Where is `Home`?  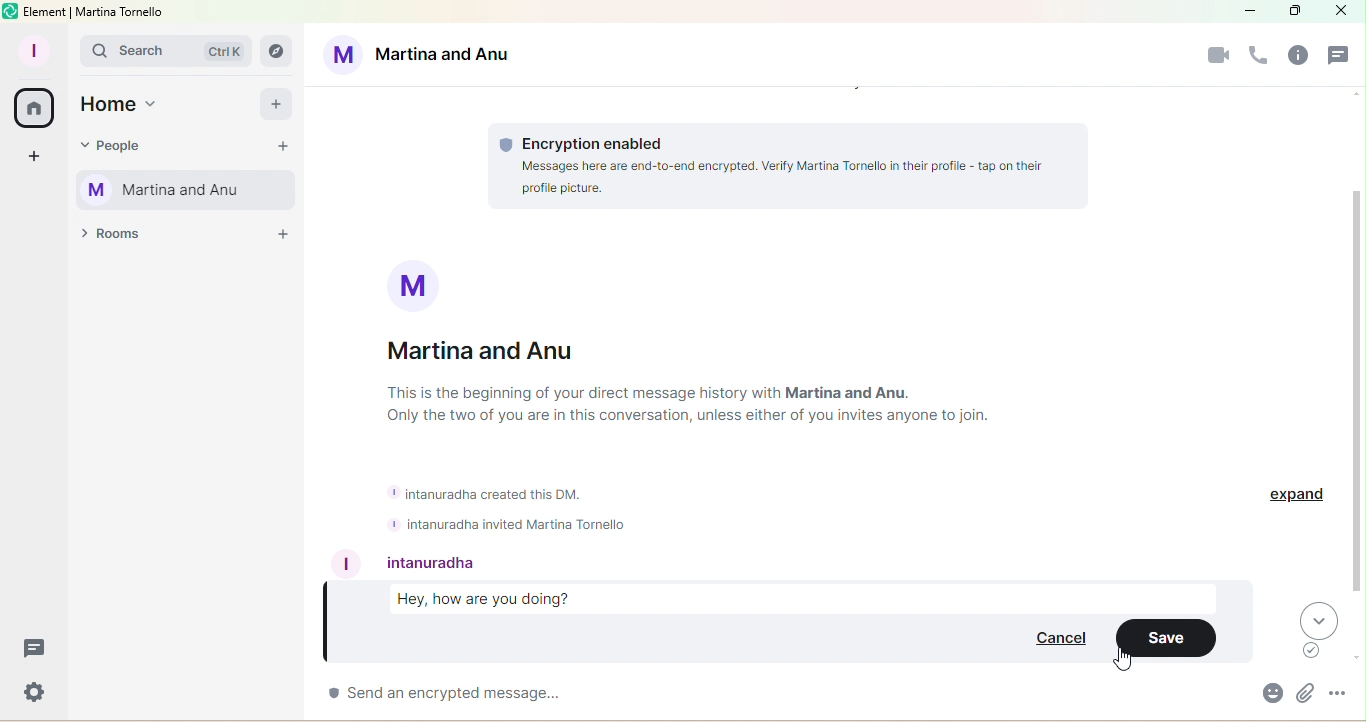
Home is located at coordinates (31, 107).